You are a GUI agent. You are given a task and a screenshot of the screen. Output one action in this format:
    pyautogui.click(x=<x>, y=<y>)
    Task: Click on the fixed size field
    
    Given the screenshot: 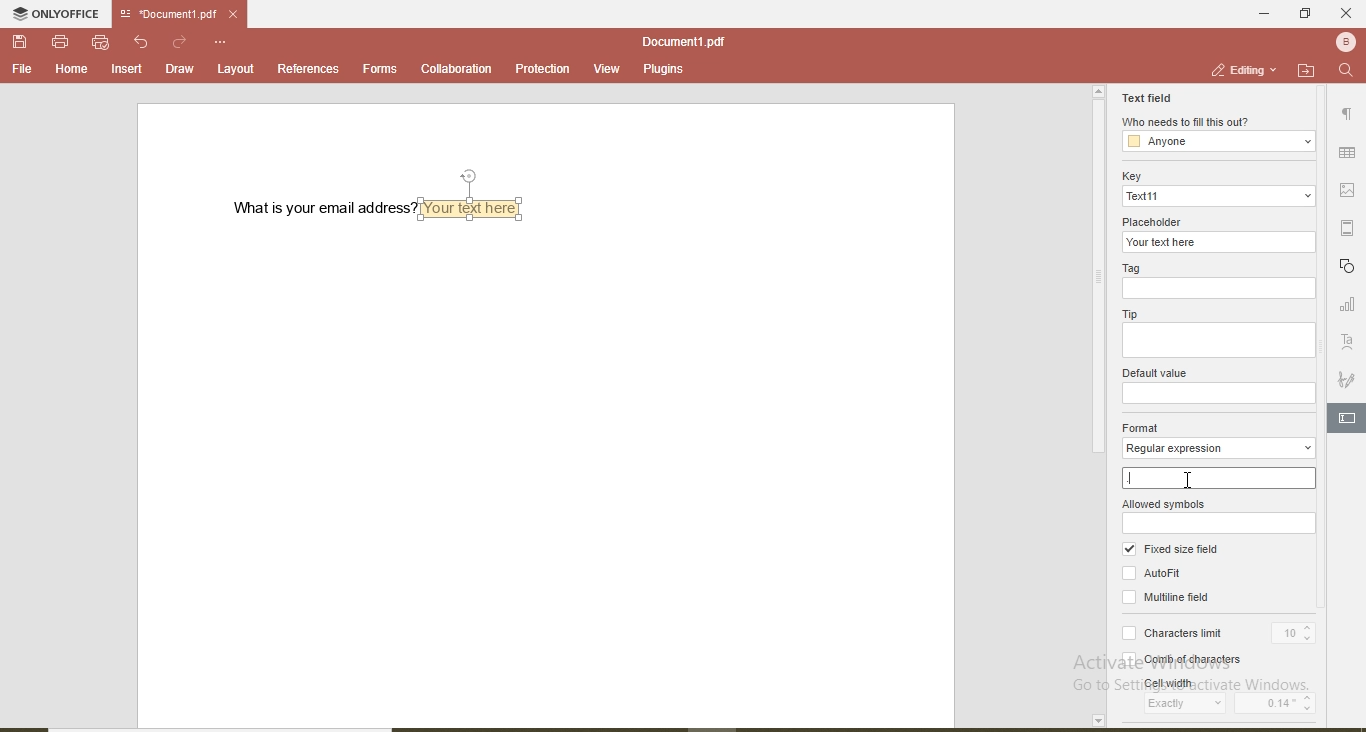 What is the action you would take?
    pyautogui.click(x=1177, y=550)
    